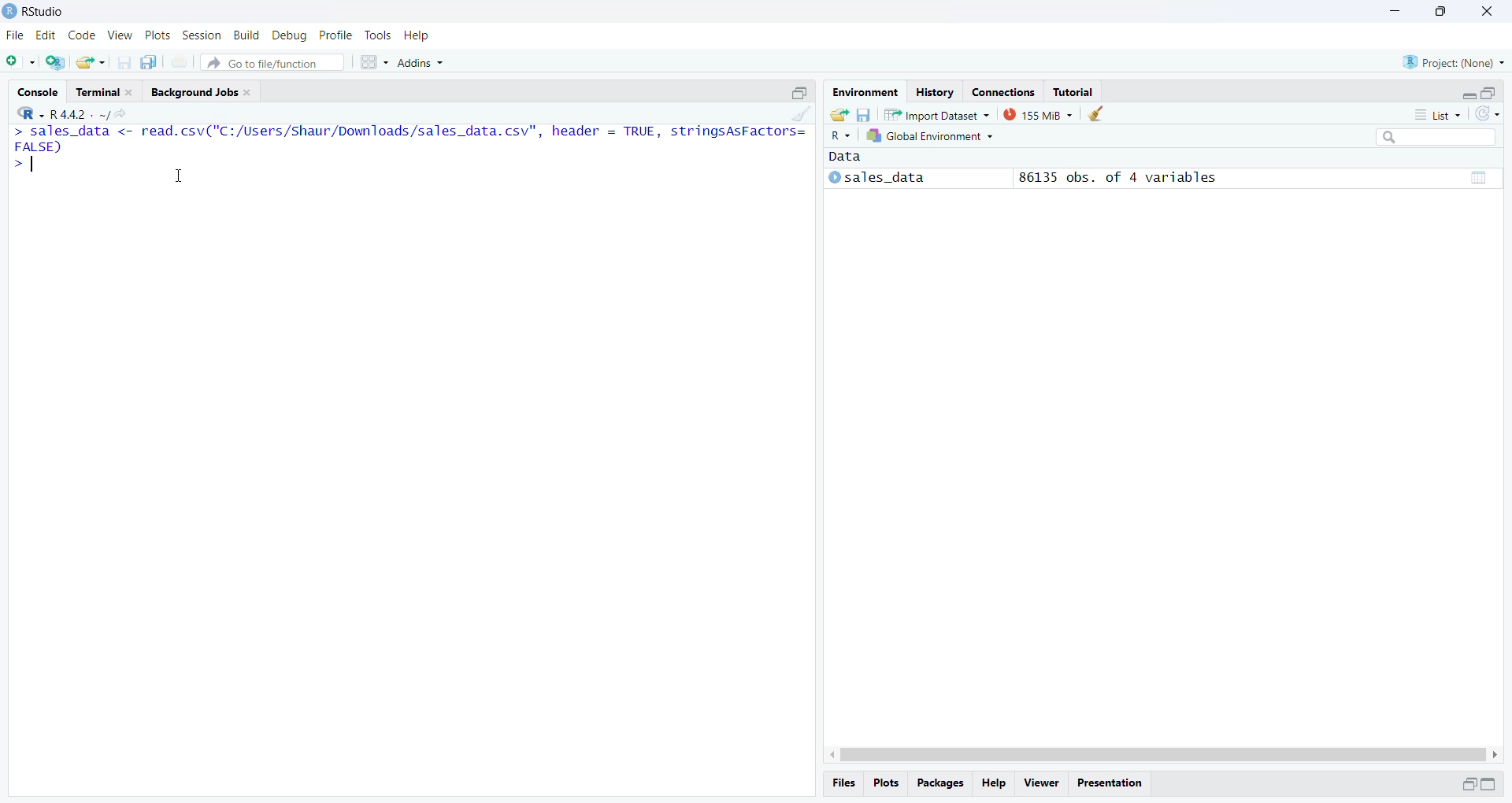  I want to click on > sales_data <- read.csv("C:/Users/Shaur/Downloads/sales_data.csv", header = TRUE, stringsAsFactors=
FALSE) T, so click(409, 139).